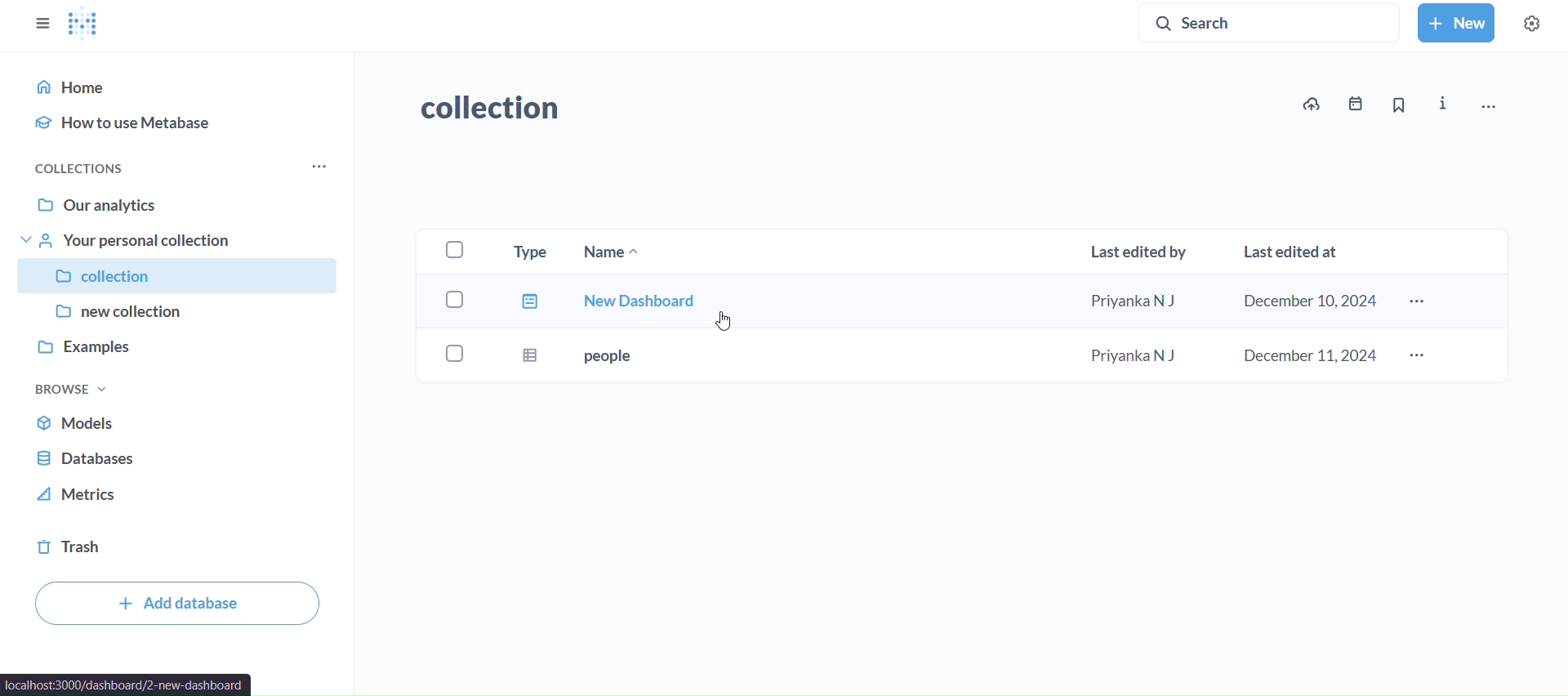  Describe the element at coordinates (1358, 105) in the screenshot. I see `events` at that location.